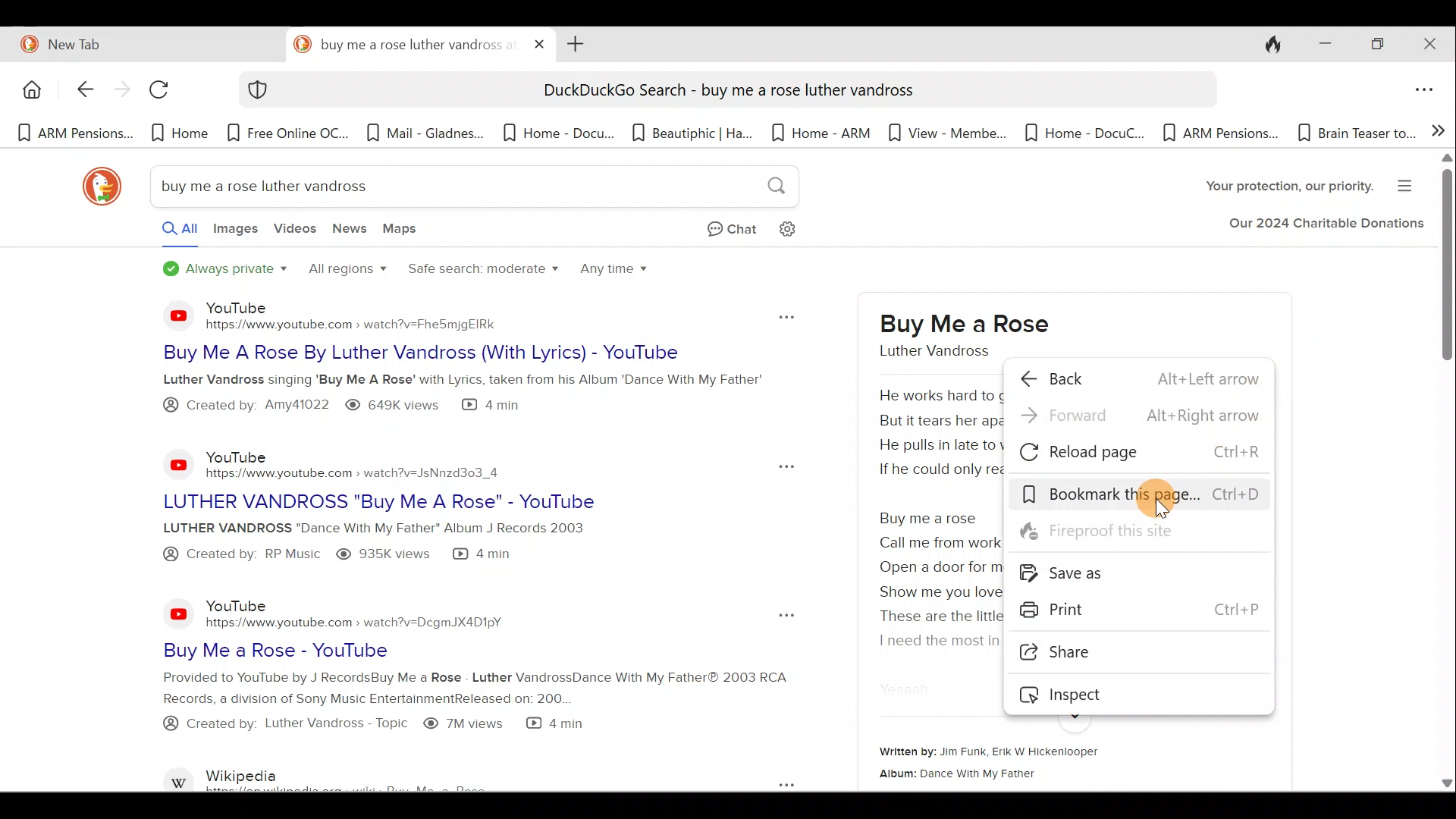 This screenshot has width=1456, height=819. What do you see at coordinates (1141, 495) in the screenshot?
I see `Bookmark this page` at bounding box center [1141, 495].